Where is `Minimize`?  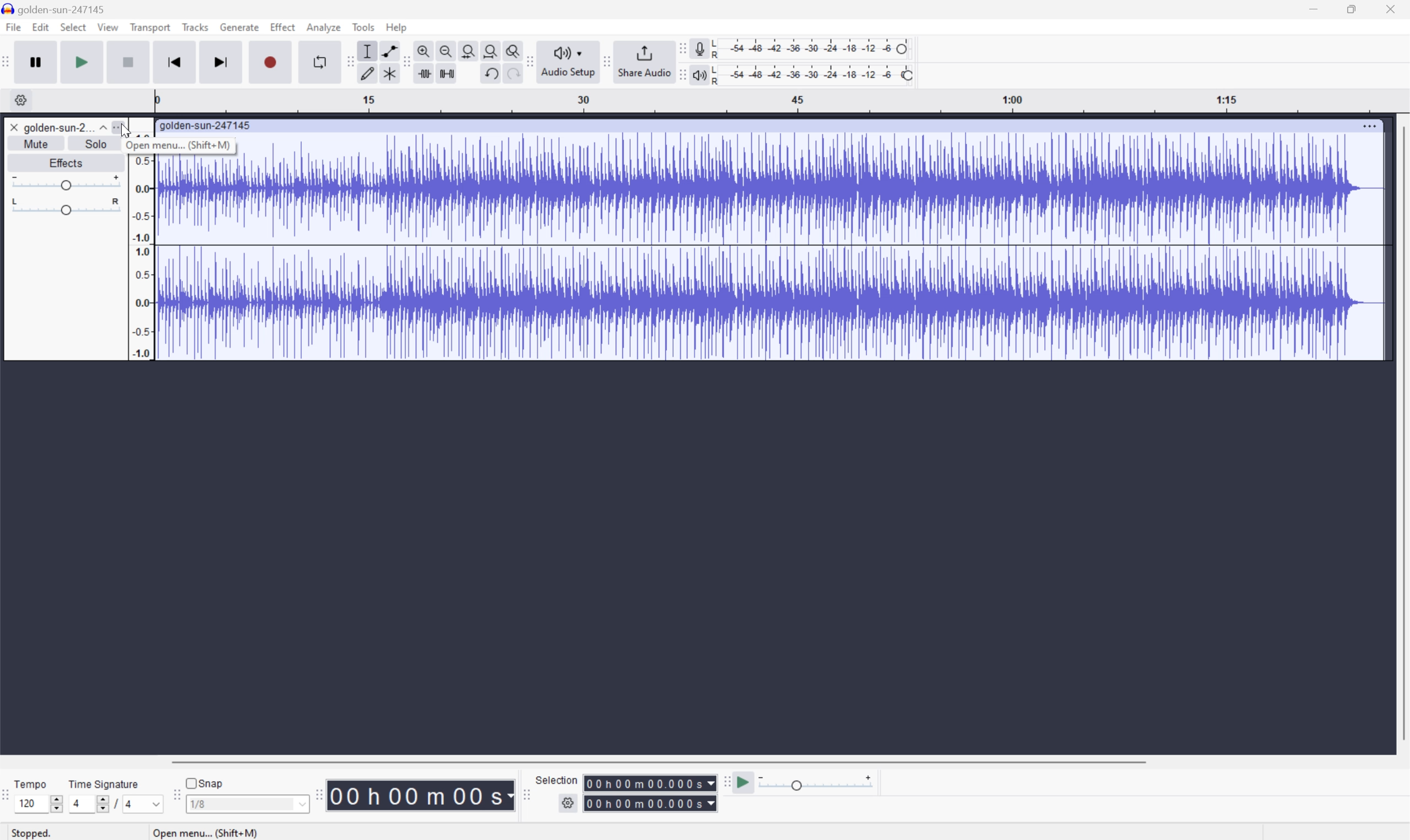 Minimize is located at coordinates (1314, 10).